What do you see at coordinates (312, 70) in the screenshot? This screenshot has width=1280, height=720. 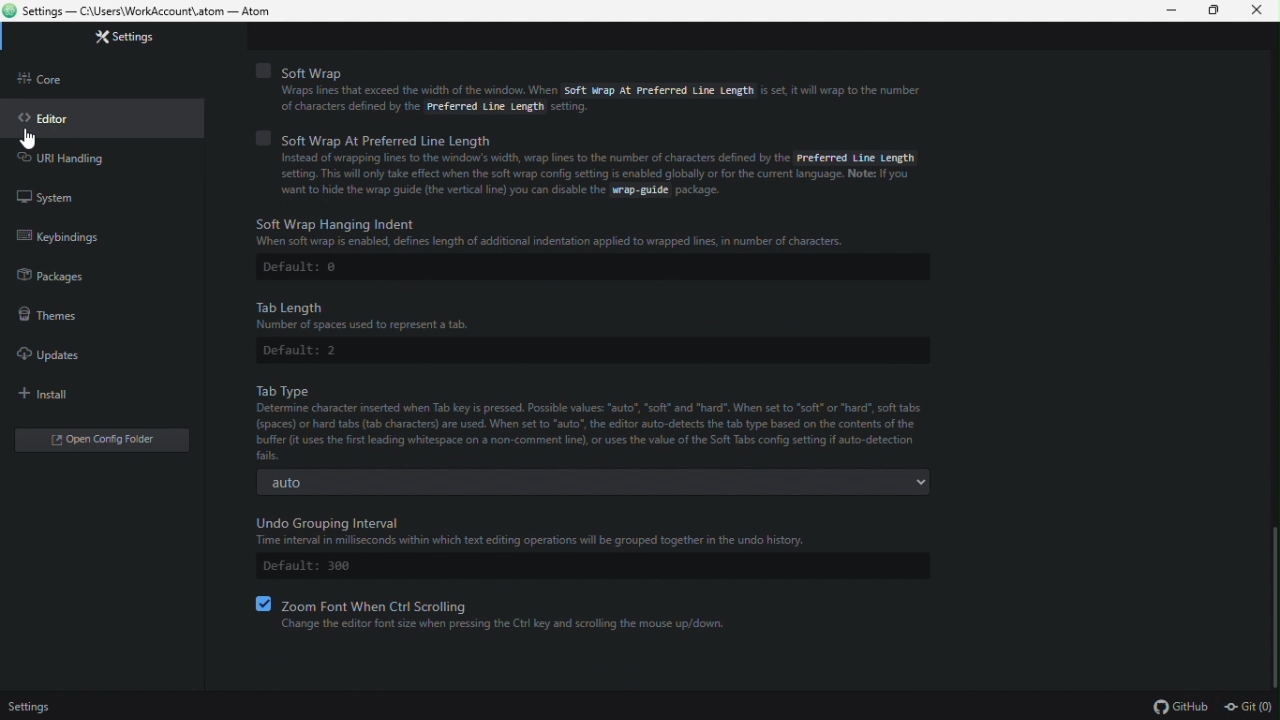 I see `Soft Wrap` at bounding box center [312, 70].